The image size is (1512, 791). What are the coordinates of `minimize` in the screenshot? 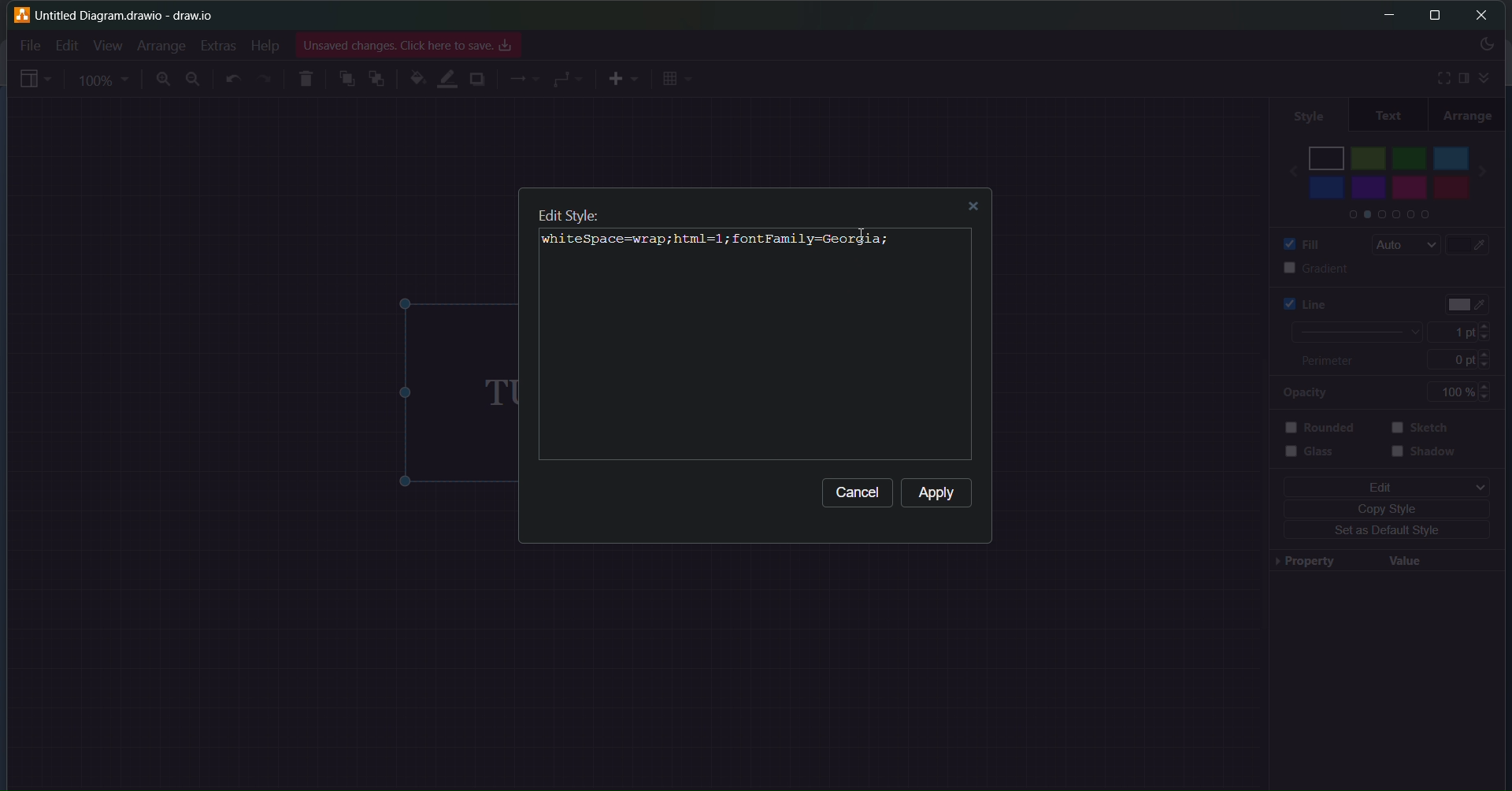 It's located at (1384, 15).